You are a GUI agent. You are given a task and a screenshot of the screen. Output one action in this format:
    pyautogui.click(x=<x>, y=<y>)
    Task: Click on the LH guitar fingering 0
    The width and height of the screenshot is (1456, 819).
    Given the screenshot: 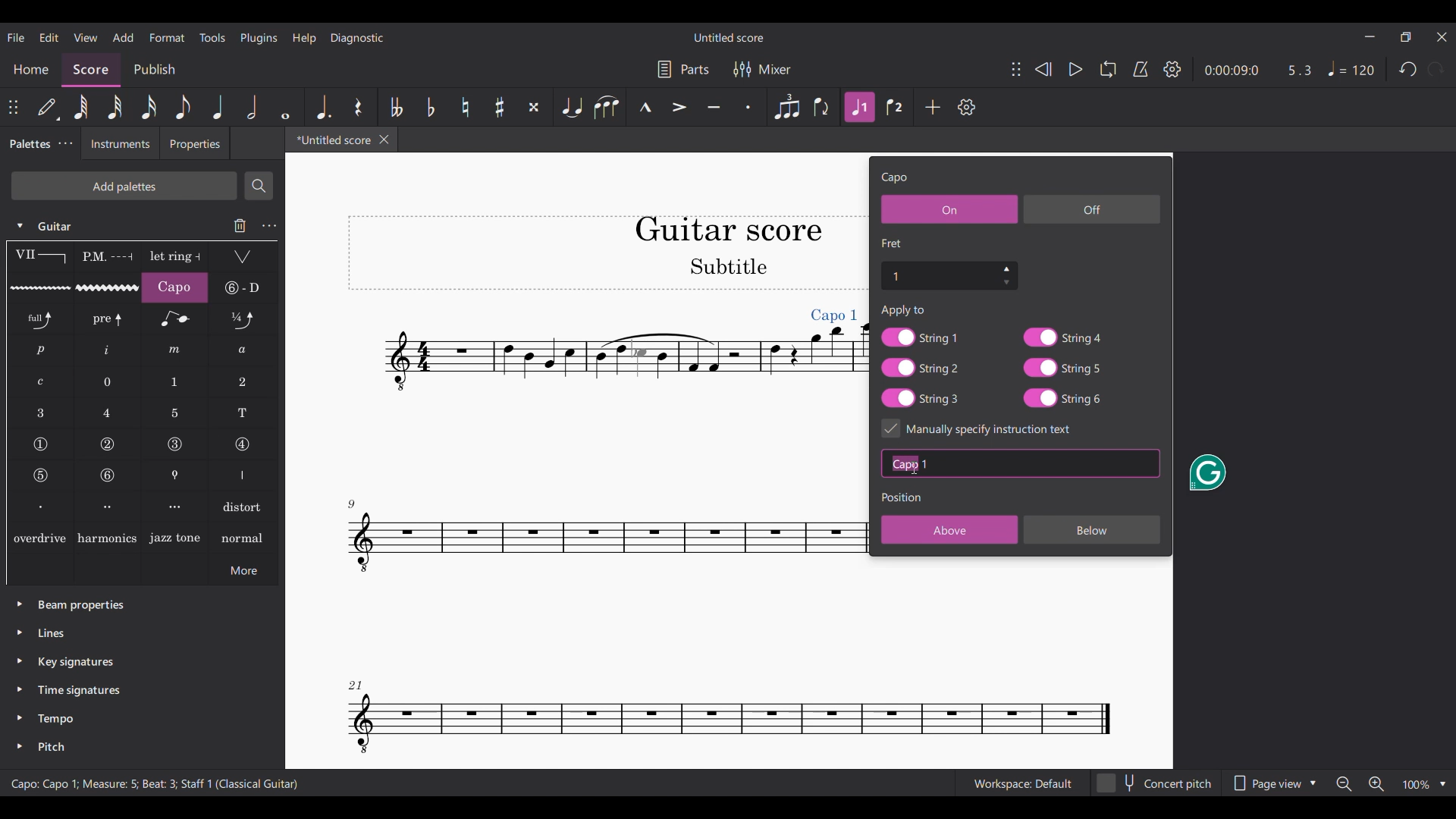 What is the action you would take?
    pyautogui.click(x=108, y=381)
    